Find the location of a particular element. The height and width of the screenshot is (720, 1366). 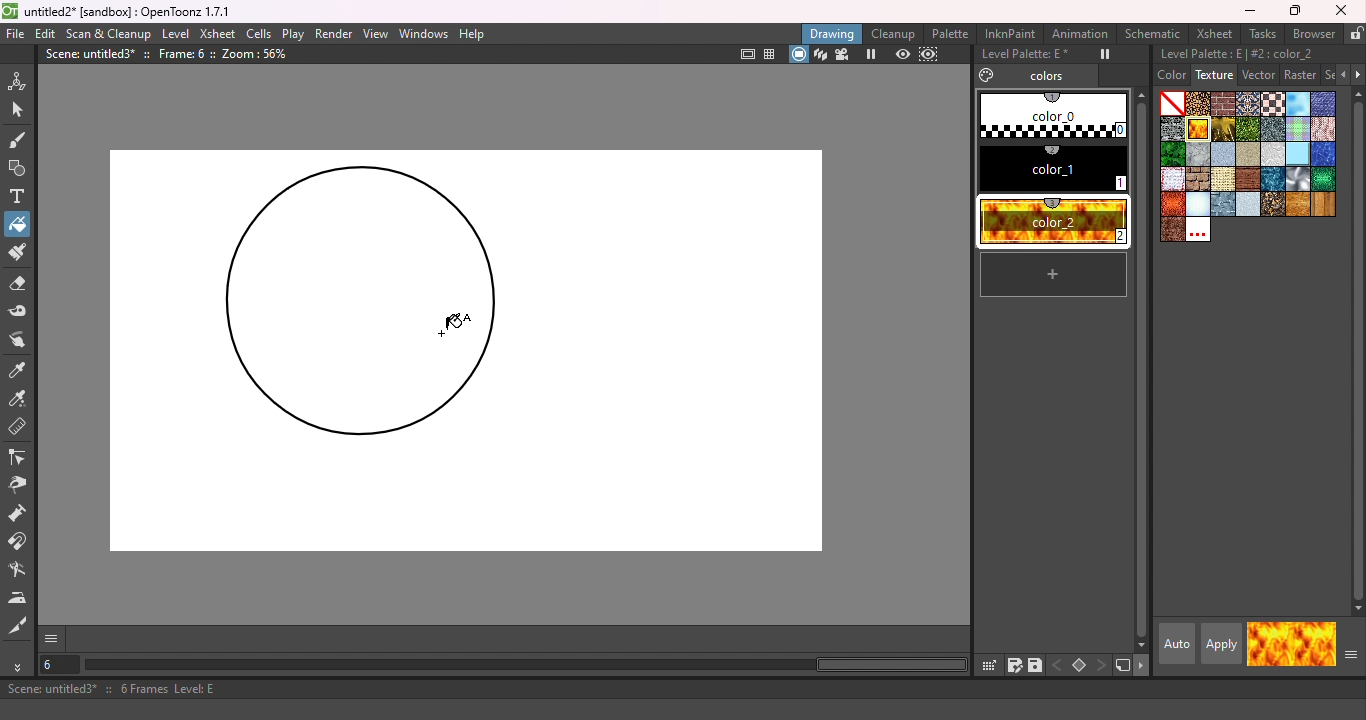

piastrell.bmp is located at coordinates (1298, 154).